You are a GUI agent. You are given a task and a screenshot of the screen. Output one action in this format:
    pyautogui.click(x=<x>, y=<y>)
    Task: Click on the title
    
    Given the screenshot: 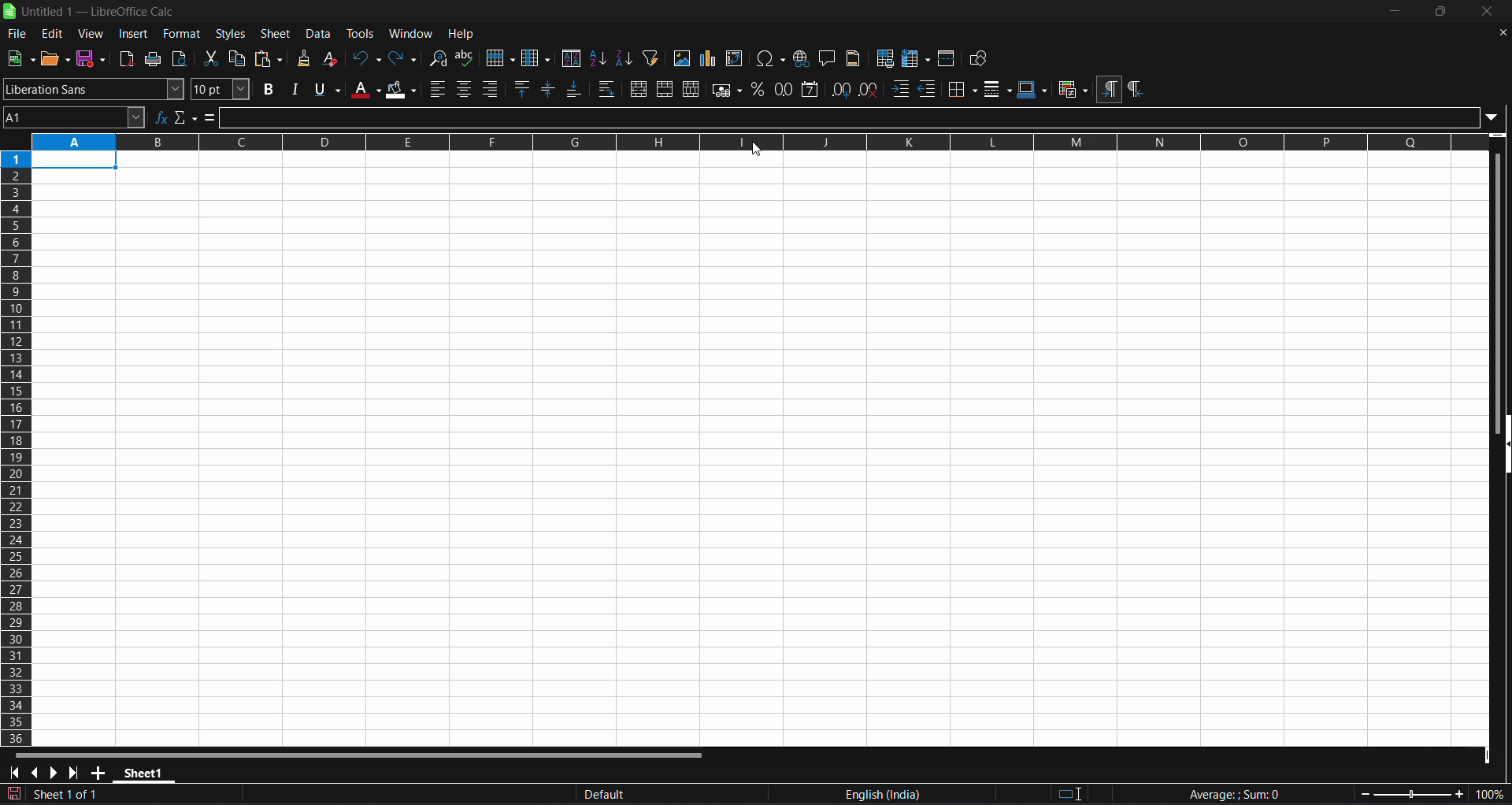 What is the action you would take?
    pyautogui.click(x=98, y=12)
    